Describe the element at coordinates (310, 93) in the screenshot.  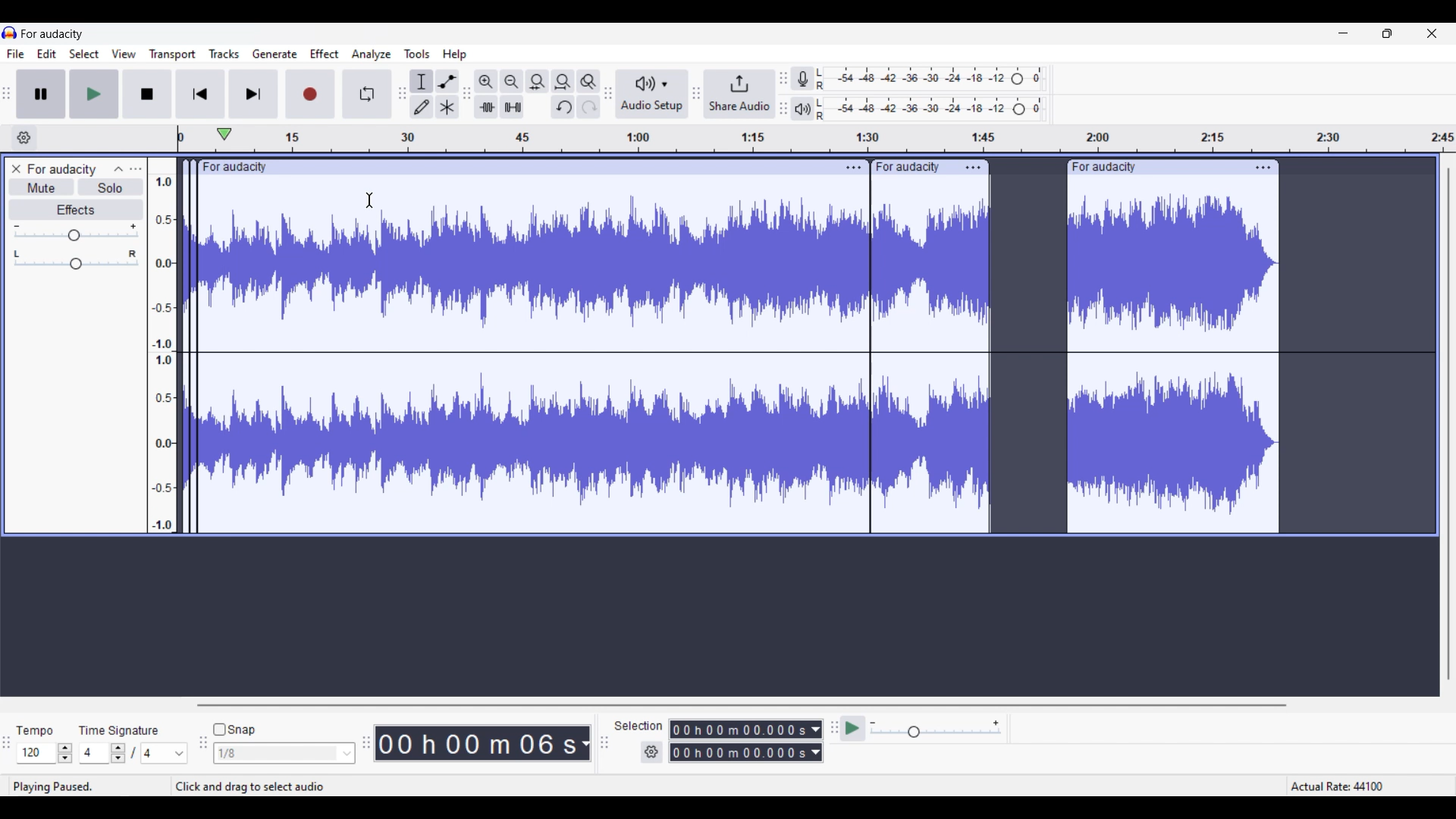
I see `Record/Record new track` at that location.